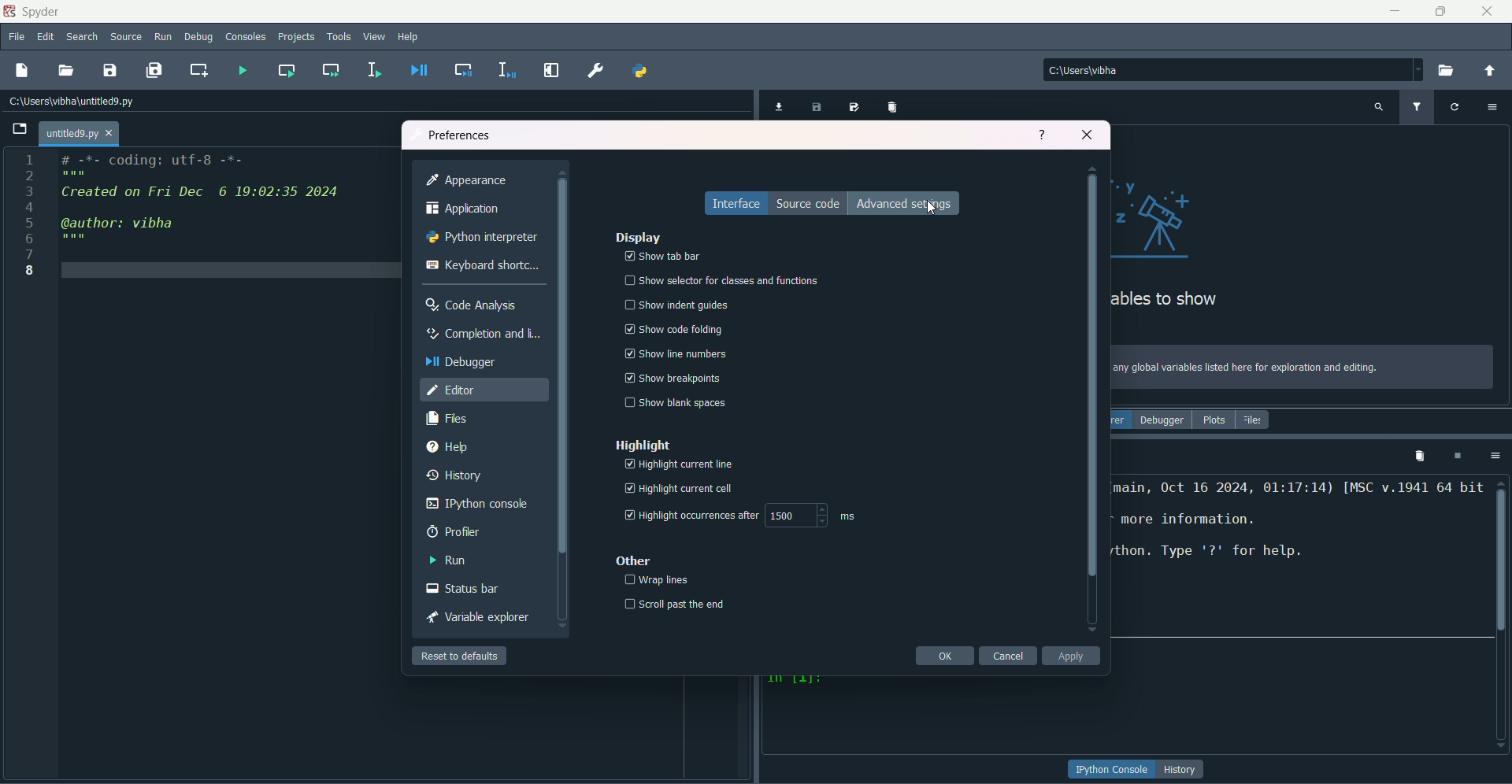 The image size is (1512, 784). What do you see at coordinates (674, 331) in the screenshot?
I see `show code folding` at bounding box center [674, 331].